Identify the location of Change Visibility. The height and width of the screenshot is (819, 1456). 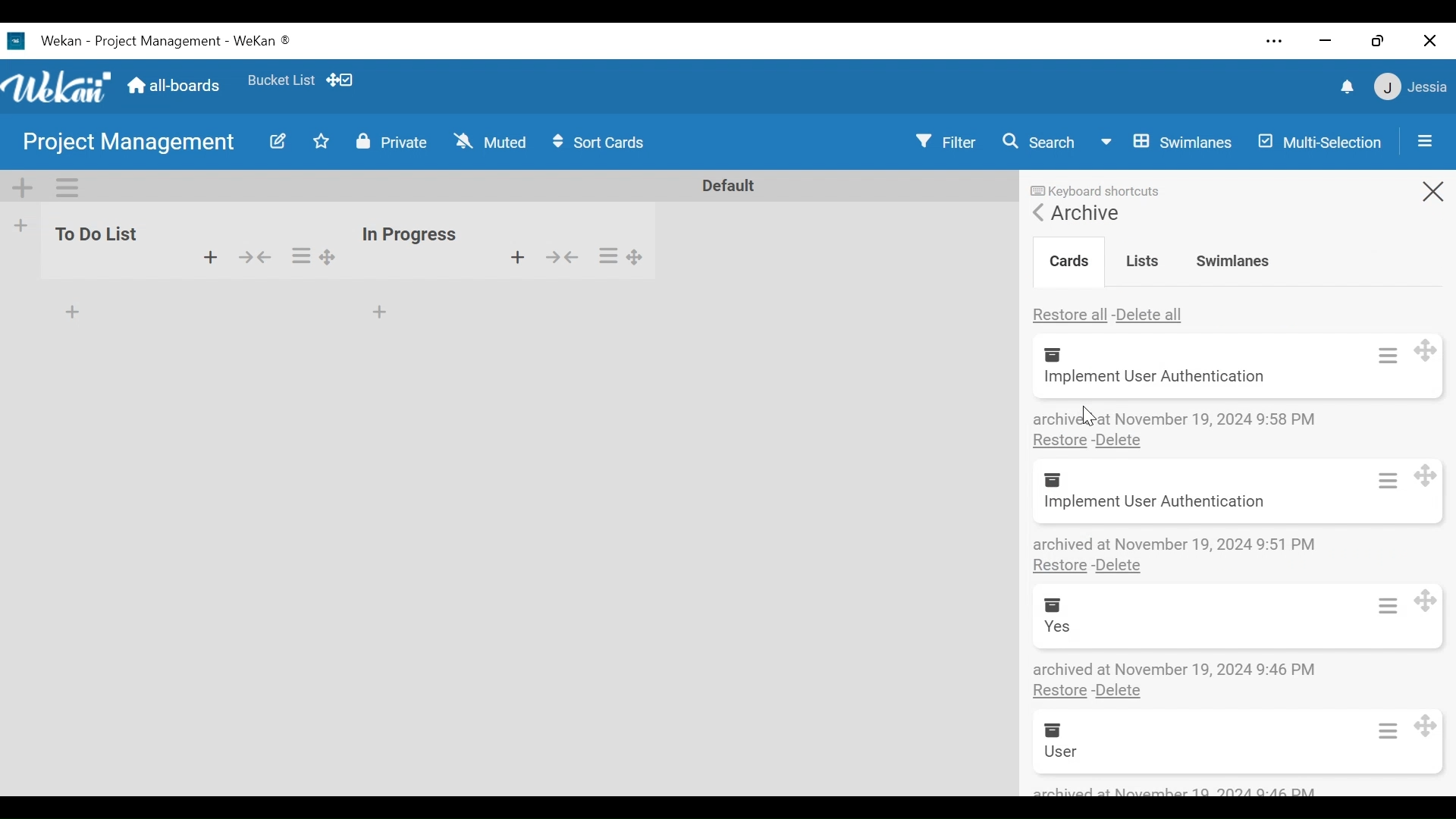
(391, 142).